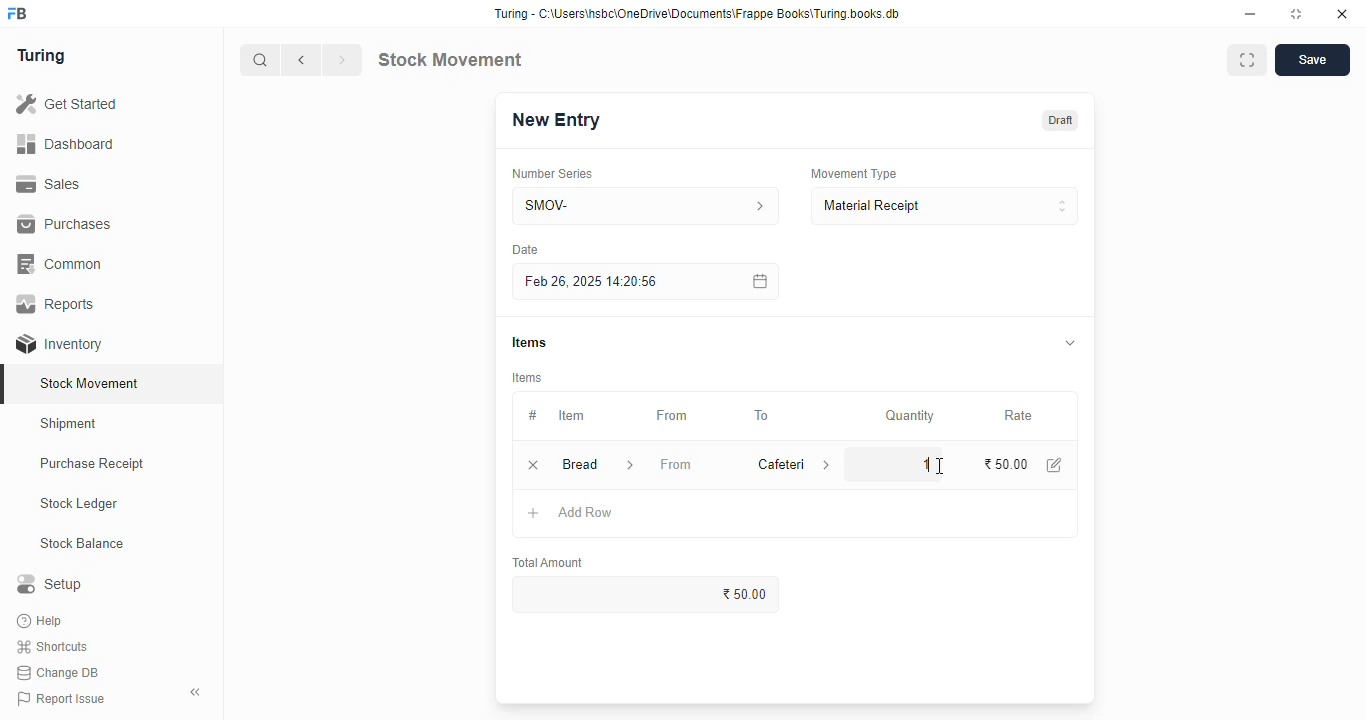 The image size is (1366, 720). Describe the element at coordinates (555, 120) in the screenshot. I see `new entry` at that location.